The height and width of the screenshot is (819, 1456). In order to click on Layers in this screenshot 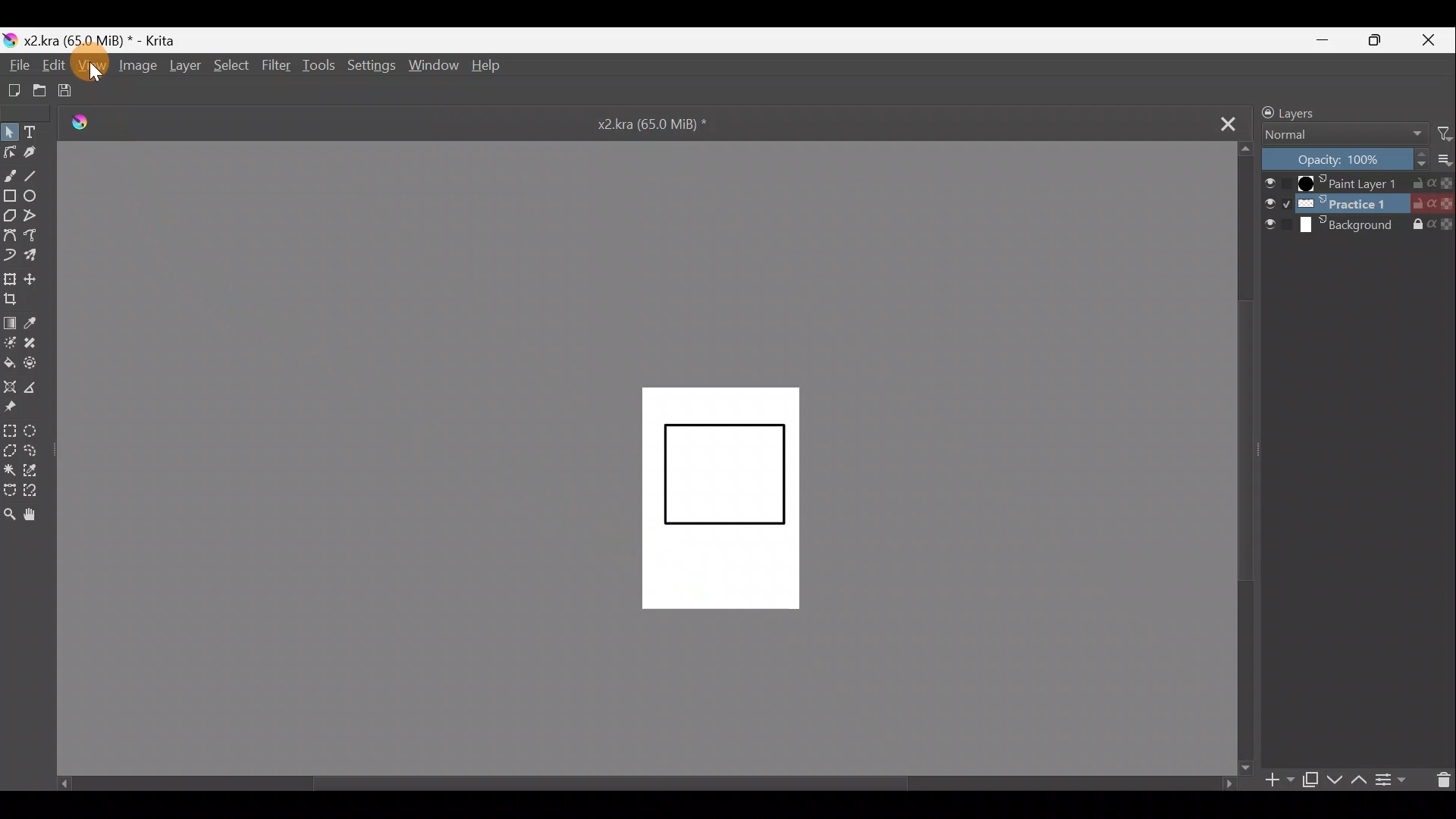, I will do `click(1318, 111)`.